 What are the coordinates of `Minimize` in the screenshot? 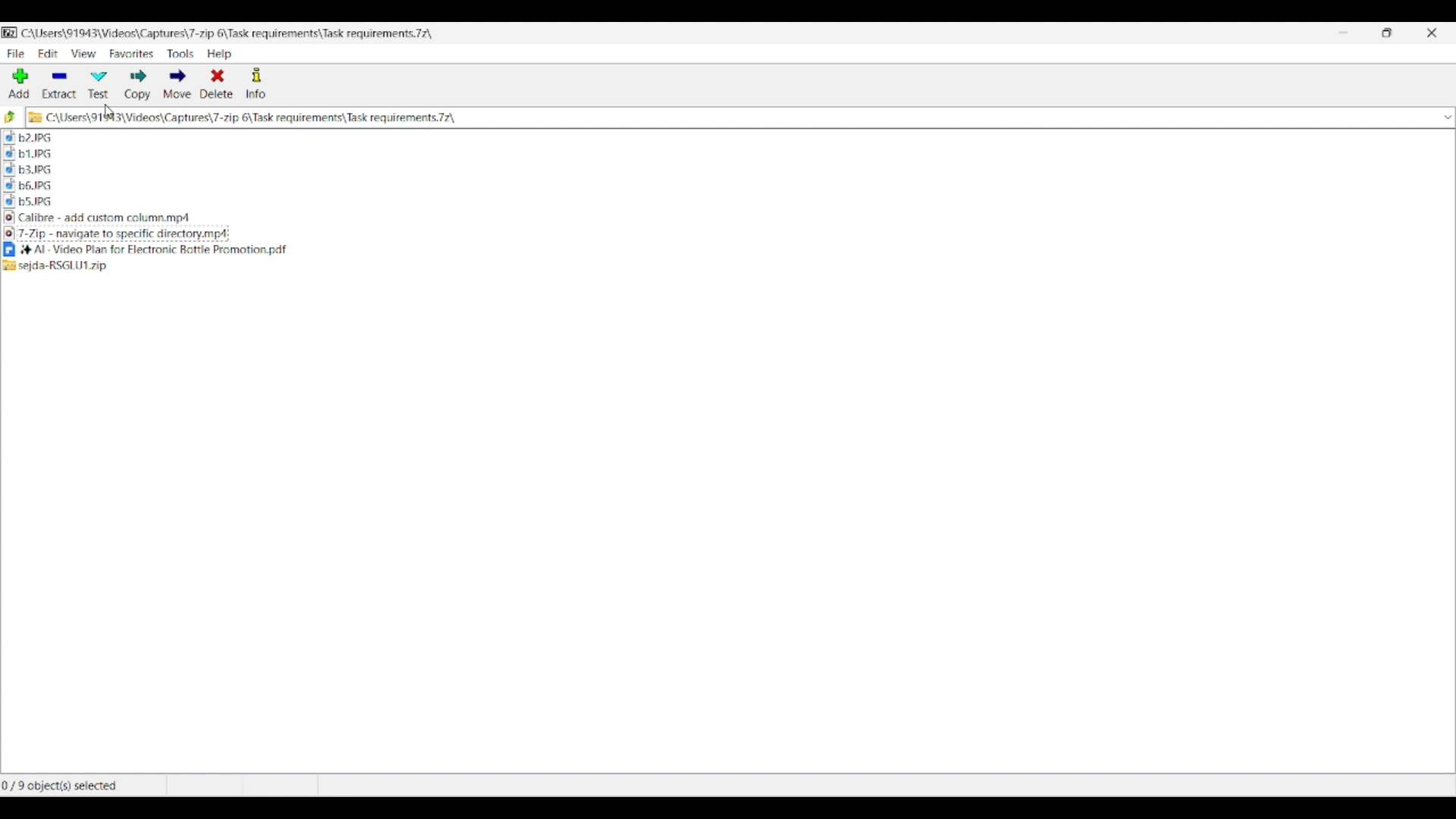 It's located at (1343, 33).